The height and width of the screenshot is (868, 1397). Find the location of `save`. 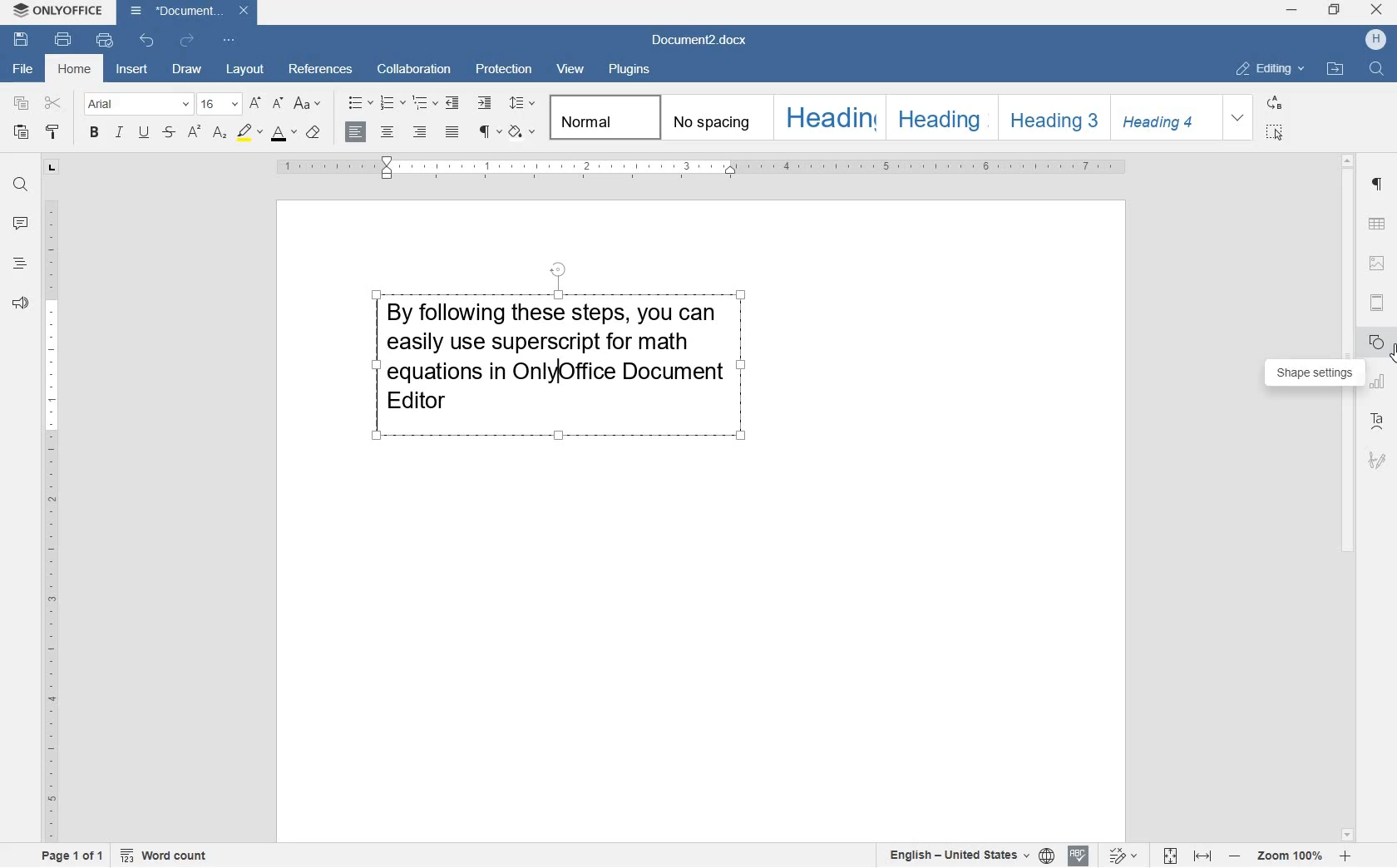

save is located at coordinates (19, 39).